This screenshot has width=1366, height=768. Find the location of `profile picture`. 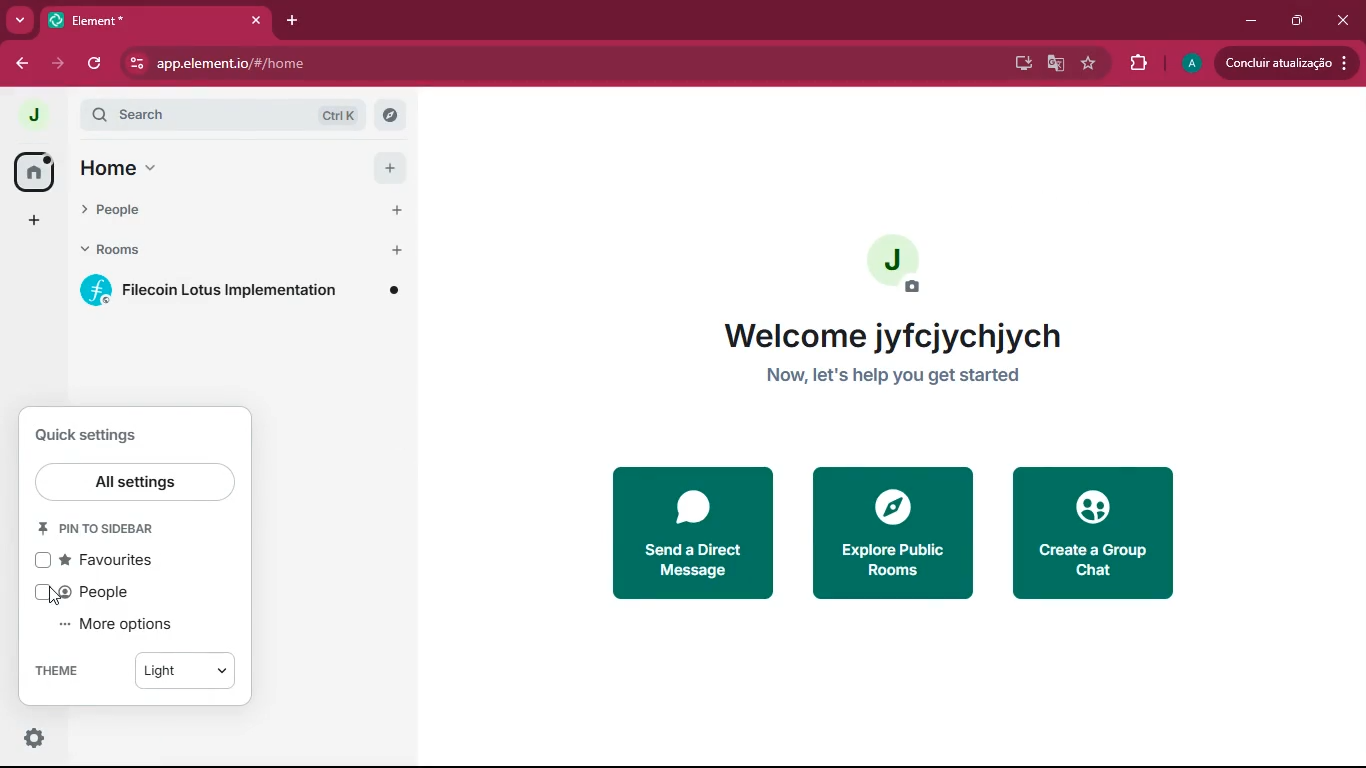

profile picture is located at coordinates (31, 114).